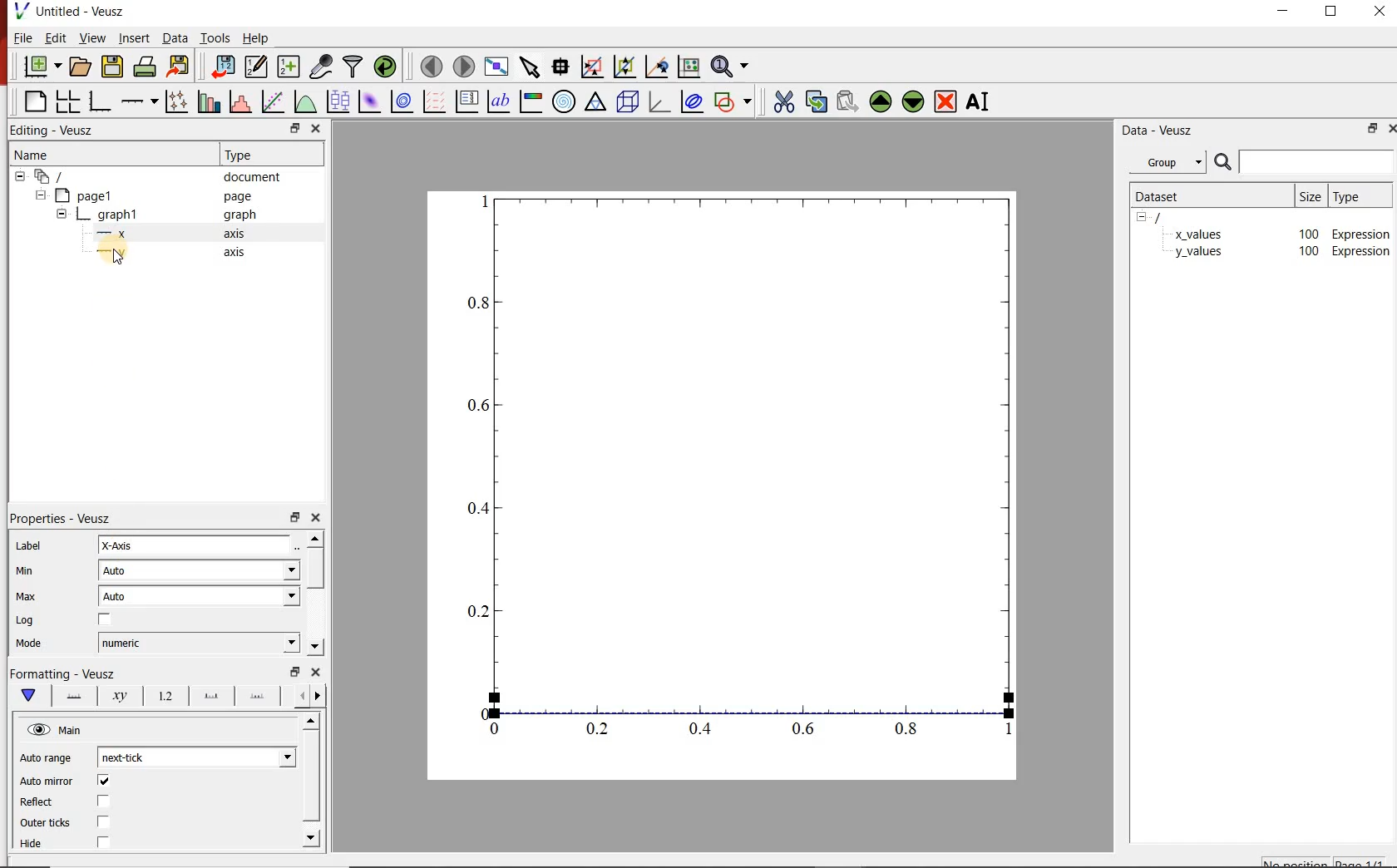 This screenshot has width=1397, height=868. I want to click on next tick, so click(197, 757).